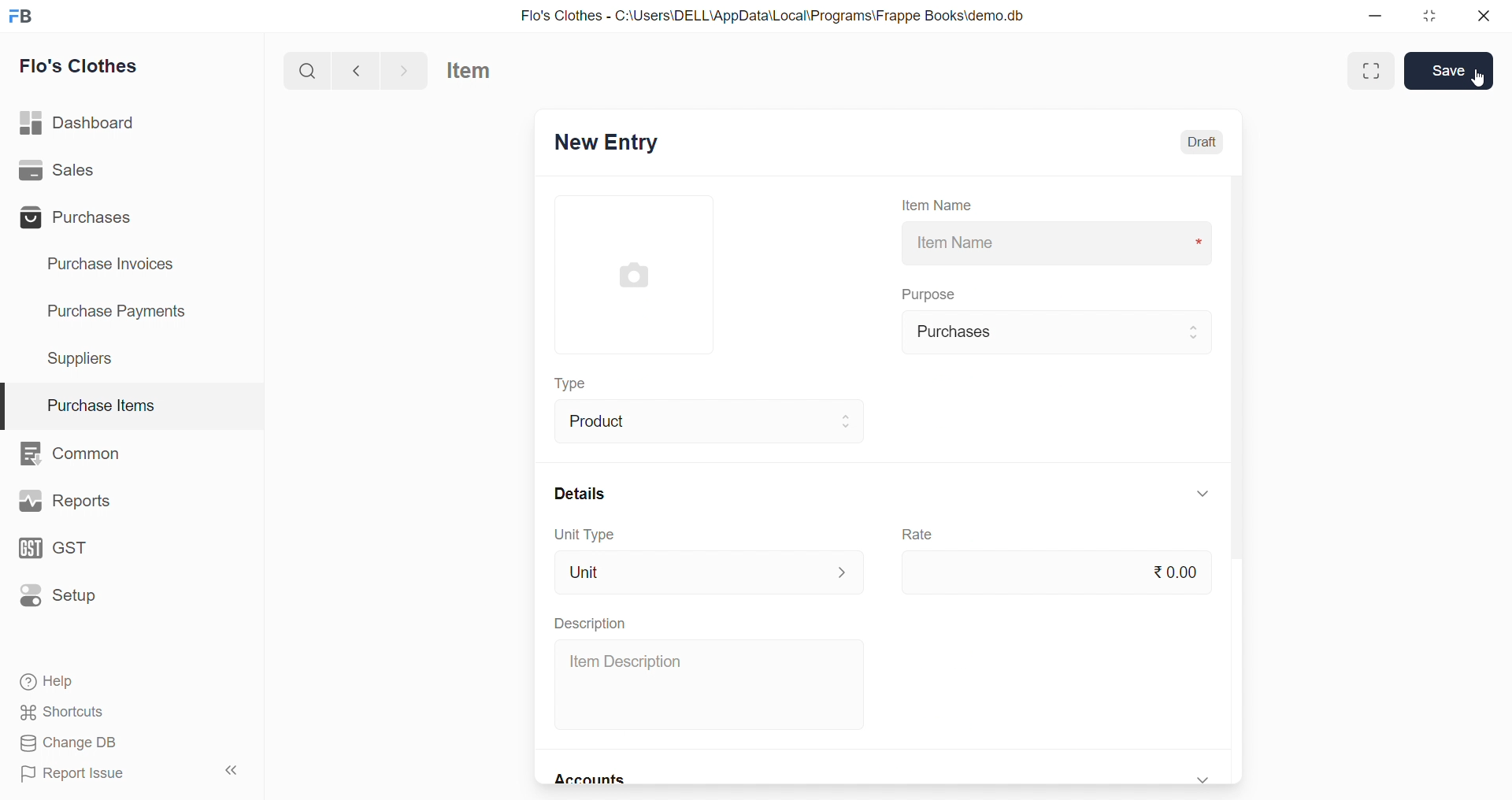  What do you see at coordinates (480, 71) in the screenshot?
I see `Item` at bounding box center [480, 71].